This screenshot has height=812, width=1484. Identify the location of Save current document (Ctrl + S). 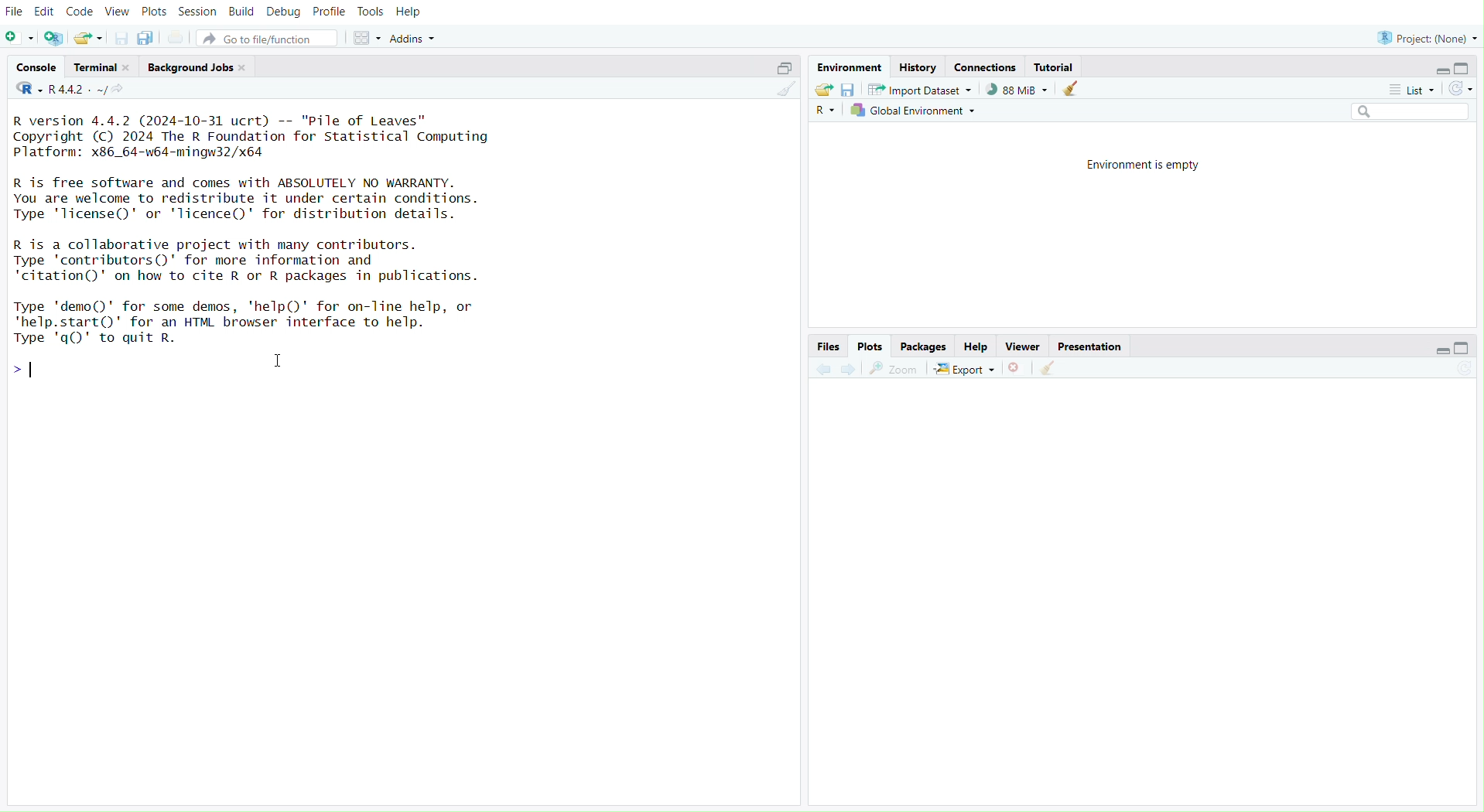
(117, 37).